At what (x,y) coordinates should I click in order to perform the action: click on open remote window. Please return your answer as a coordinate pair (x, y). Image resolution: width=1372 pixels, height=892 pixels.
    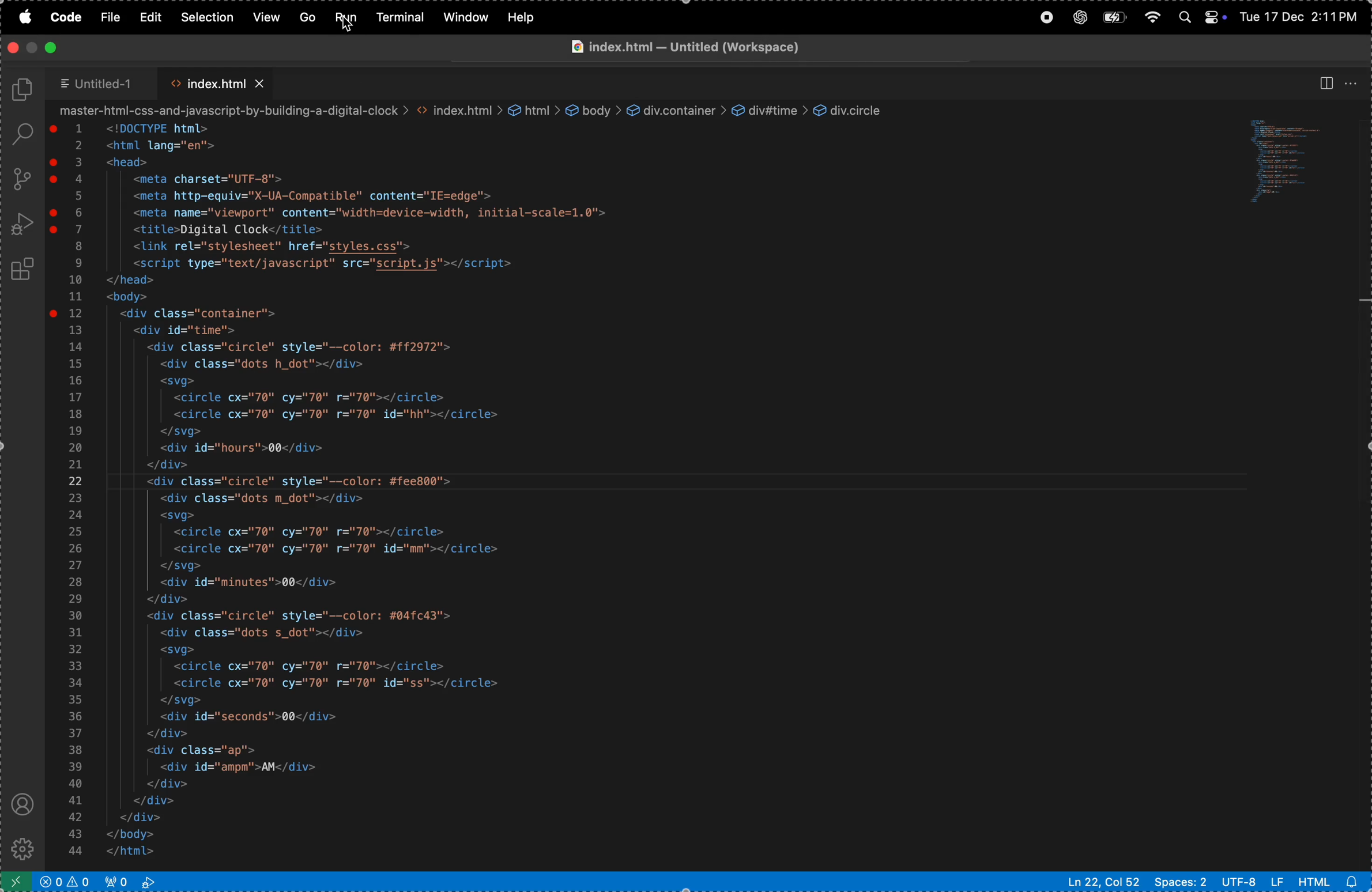
    Looking at the image, I should click on (19, 880).